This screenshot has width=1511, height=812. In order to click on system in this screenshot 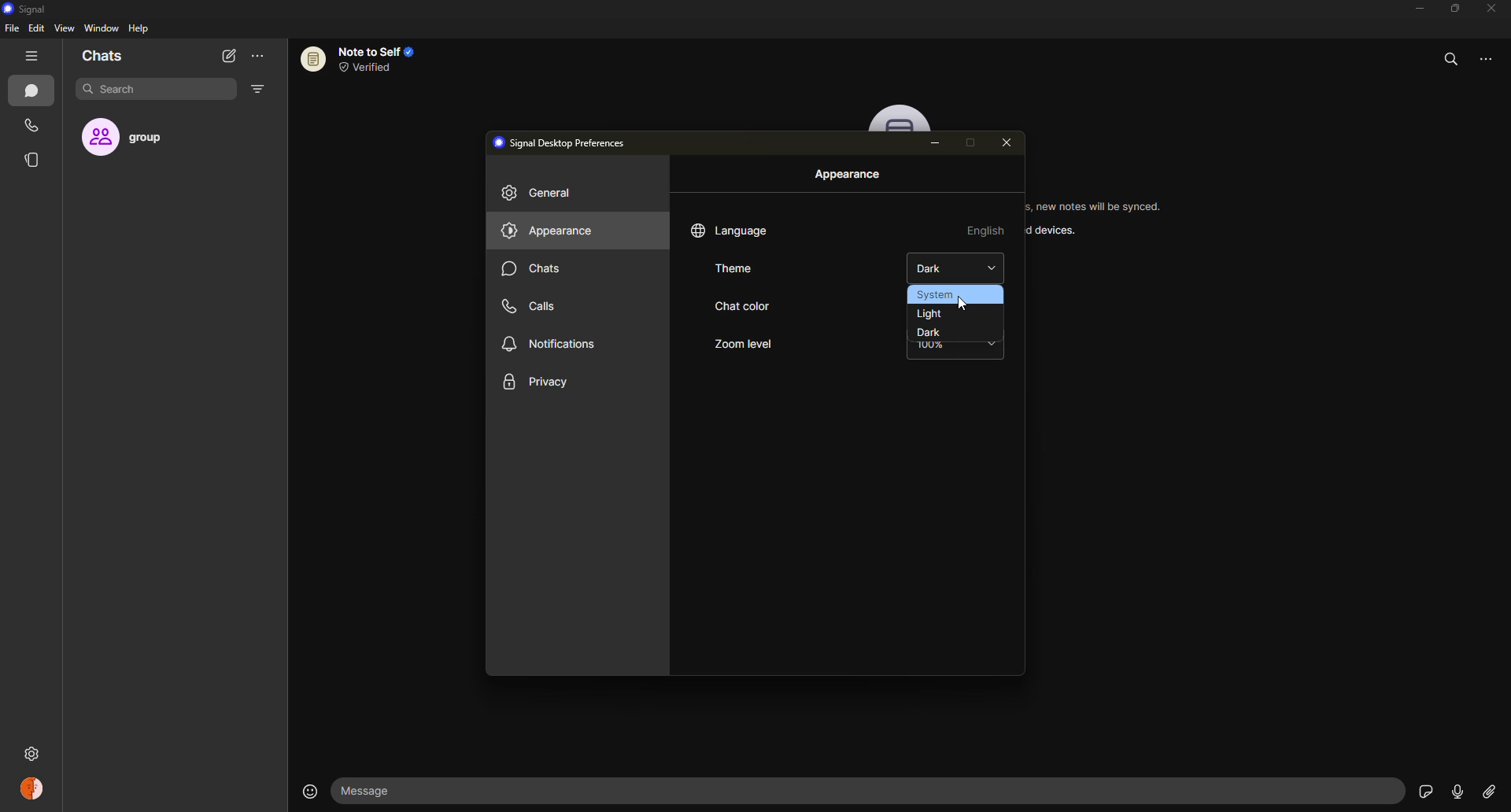, I will do `click(938, 297)`.